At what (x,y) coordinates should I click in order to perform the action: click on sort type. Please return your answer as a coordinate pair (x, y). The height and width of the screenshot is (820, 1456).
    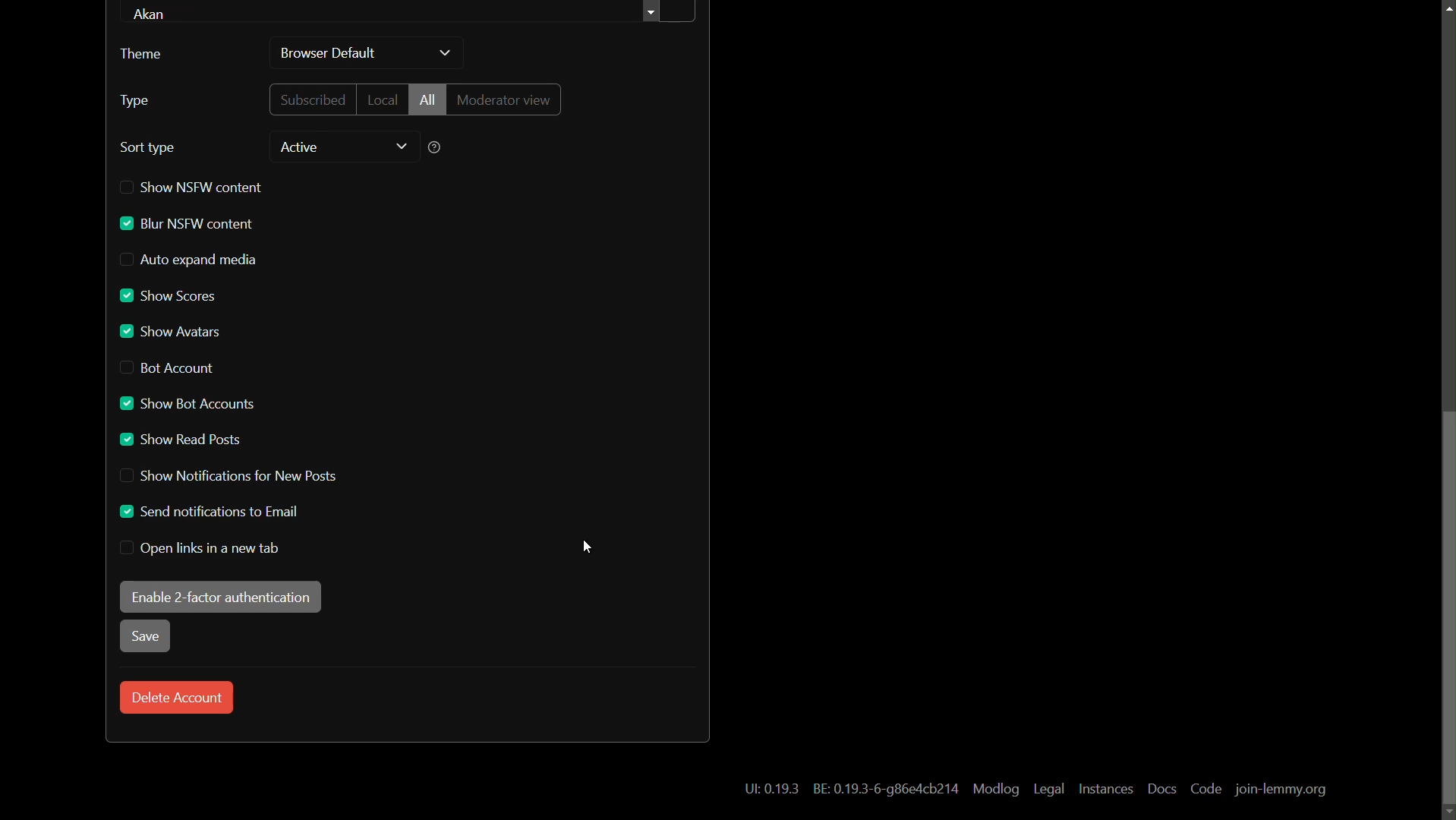
    Looking at the image, I should click on (148, 148).